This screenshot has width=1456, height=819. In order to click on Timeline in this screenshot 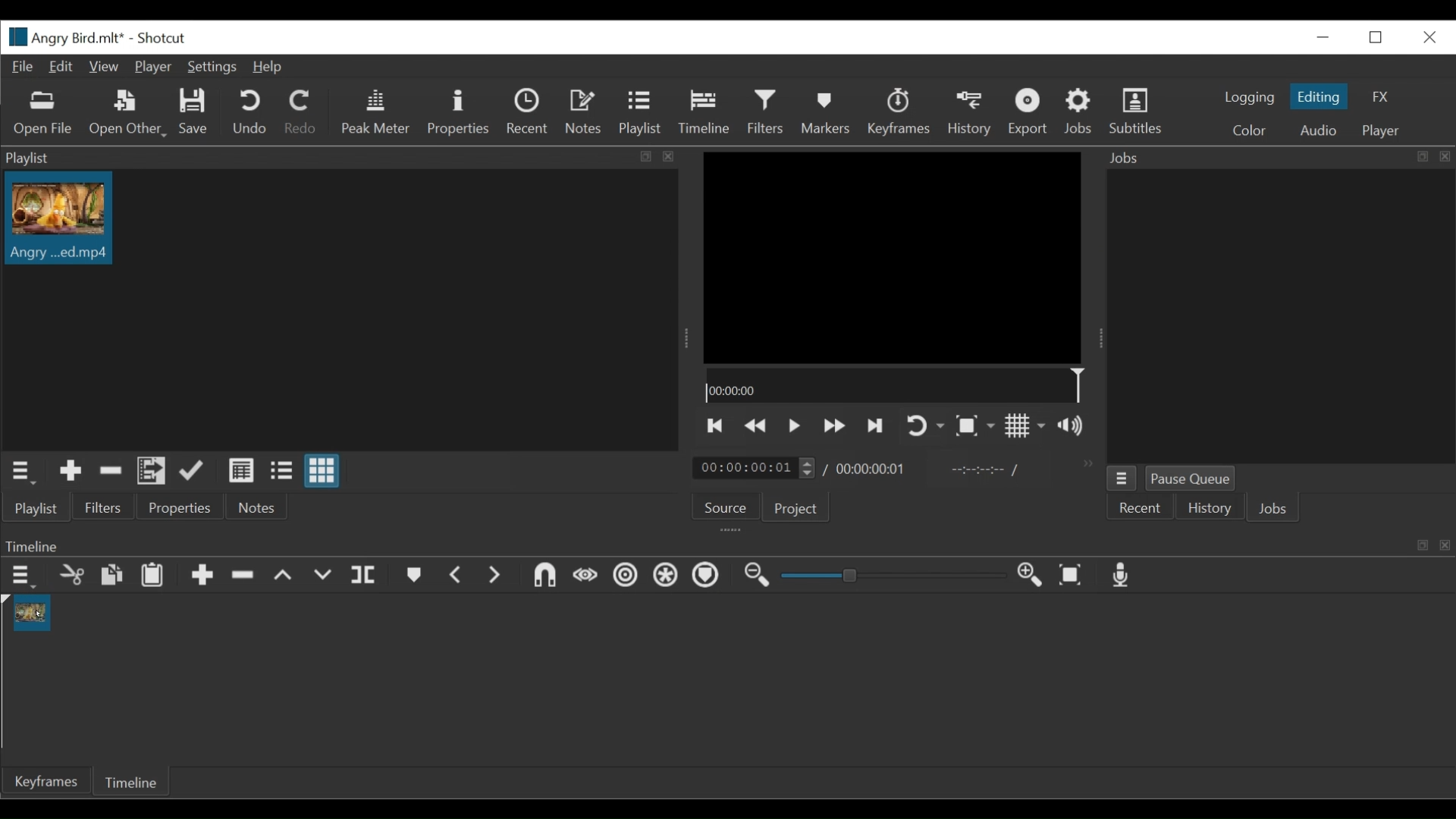, I will do `click(134, 784)`.